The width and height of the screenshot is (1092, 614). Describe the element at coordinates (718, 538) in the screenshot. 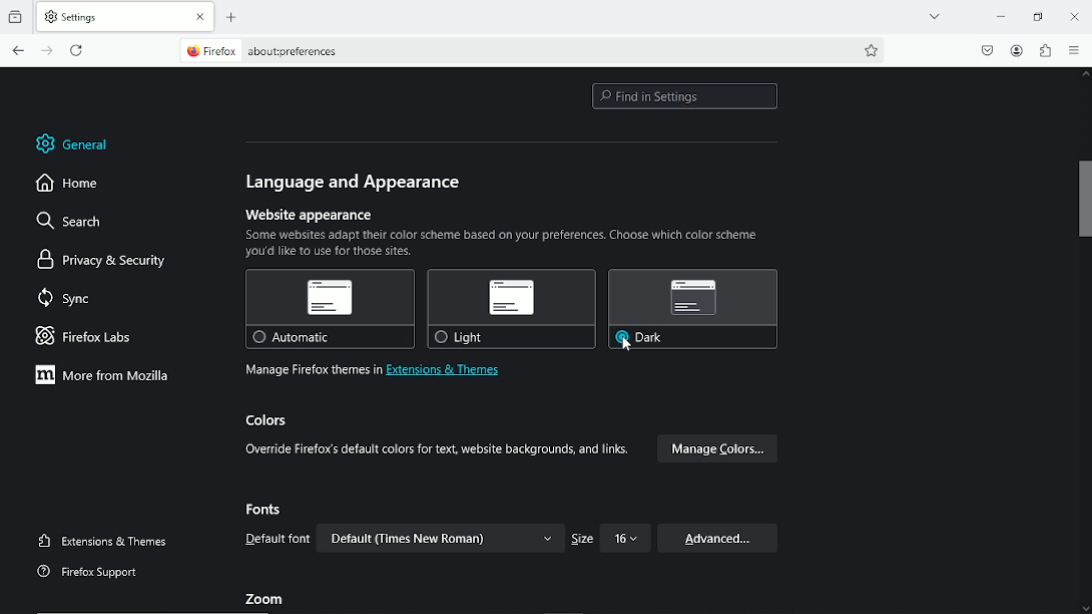

I see `Advanced...` at that location.